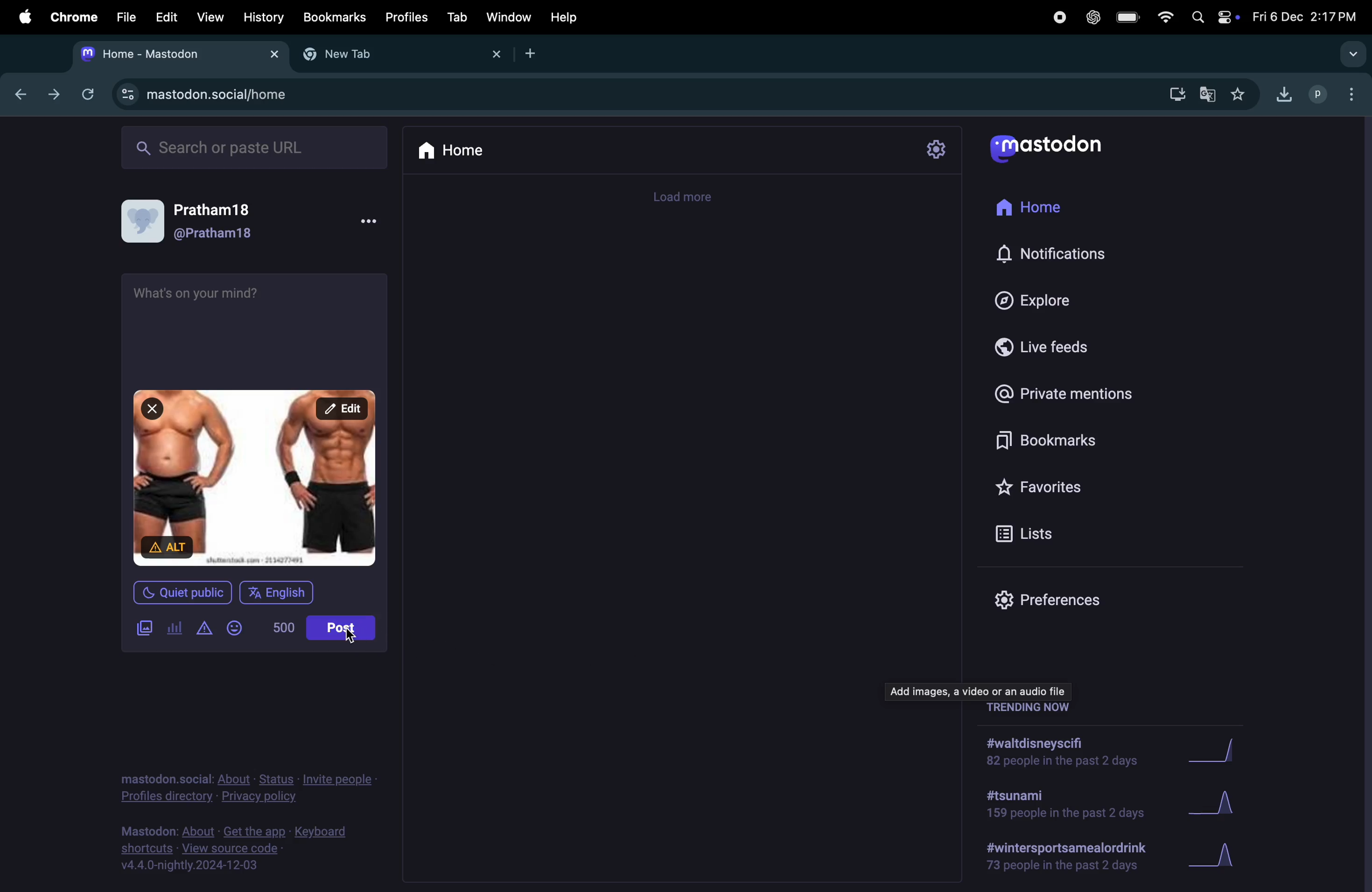 Image resolution: width=1372 pixels, height=892 pixels. Describe the element at coordinates (257, 325) in the screenshot. I see `text box` at that location.